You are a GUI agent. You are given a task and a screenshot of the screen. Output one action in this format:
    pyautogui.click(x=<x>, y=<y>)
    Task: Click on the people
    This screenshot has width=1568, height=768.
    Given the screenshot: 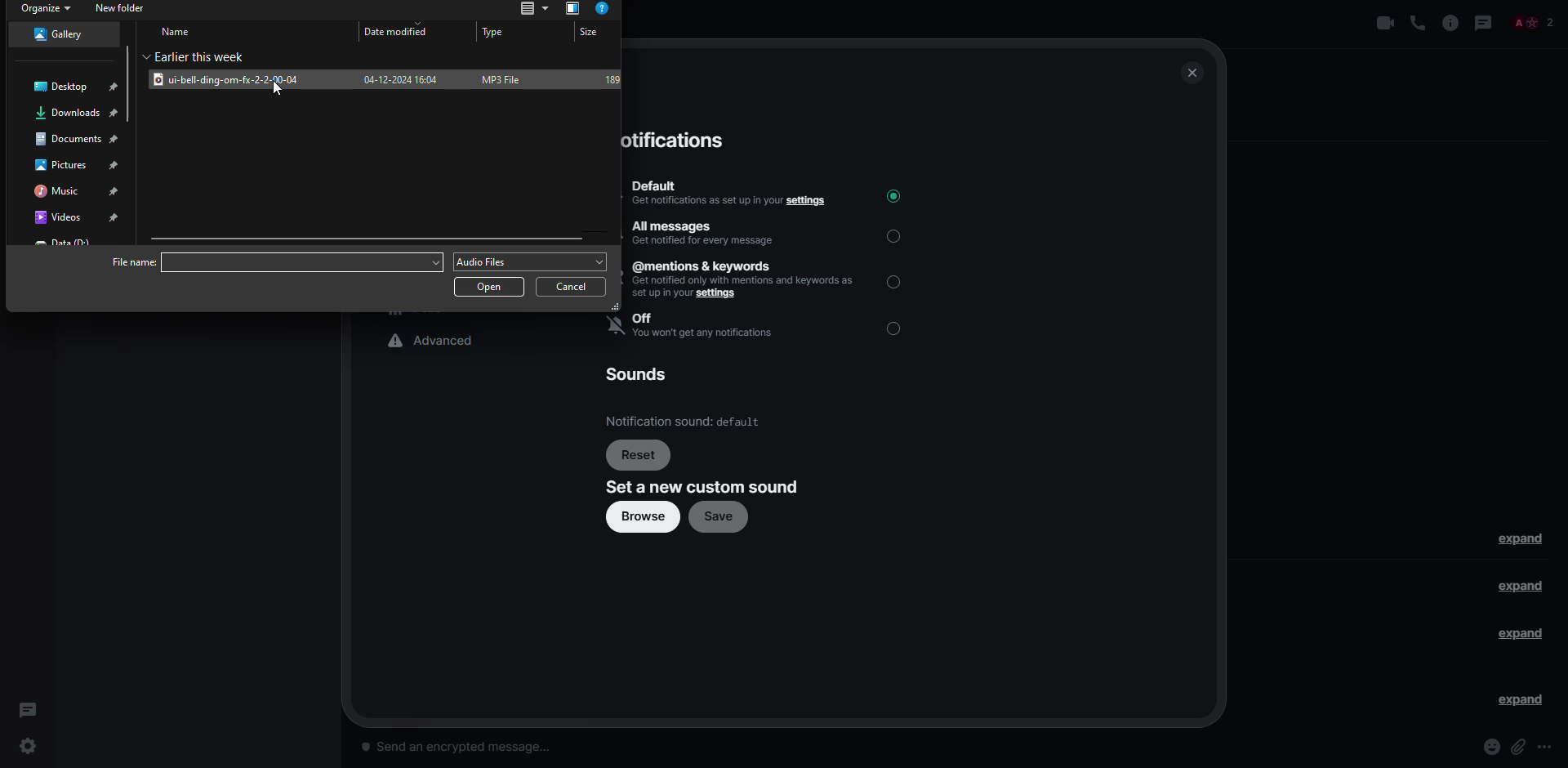 What is the action you would take?
    pyautogui.click(x=1532, y=23)
    